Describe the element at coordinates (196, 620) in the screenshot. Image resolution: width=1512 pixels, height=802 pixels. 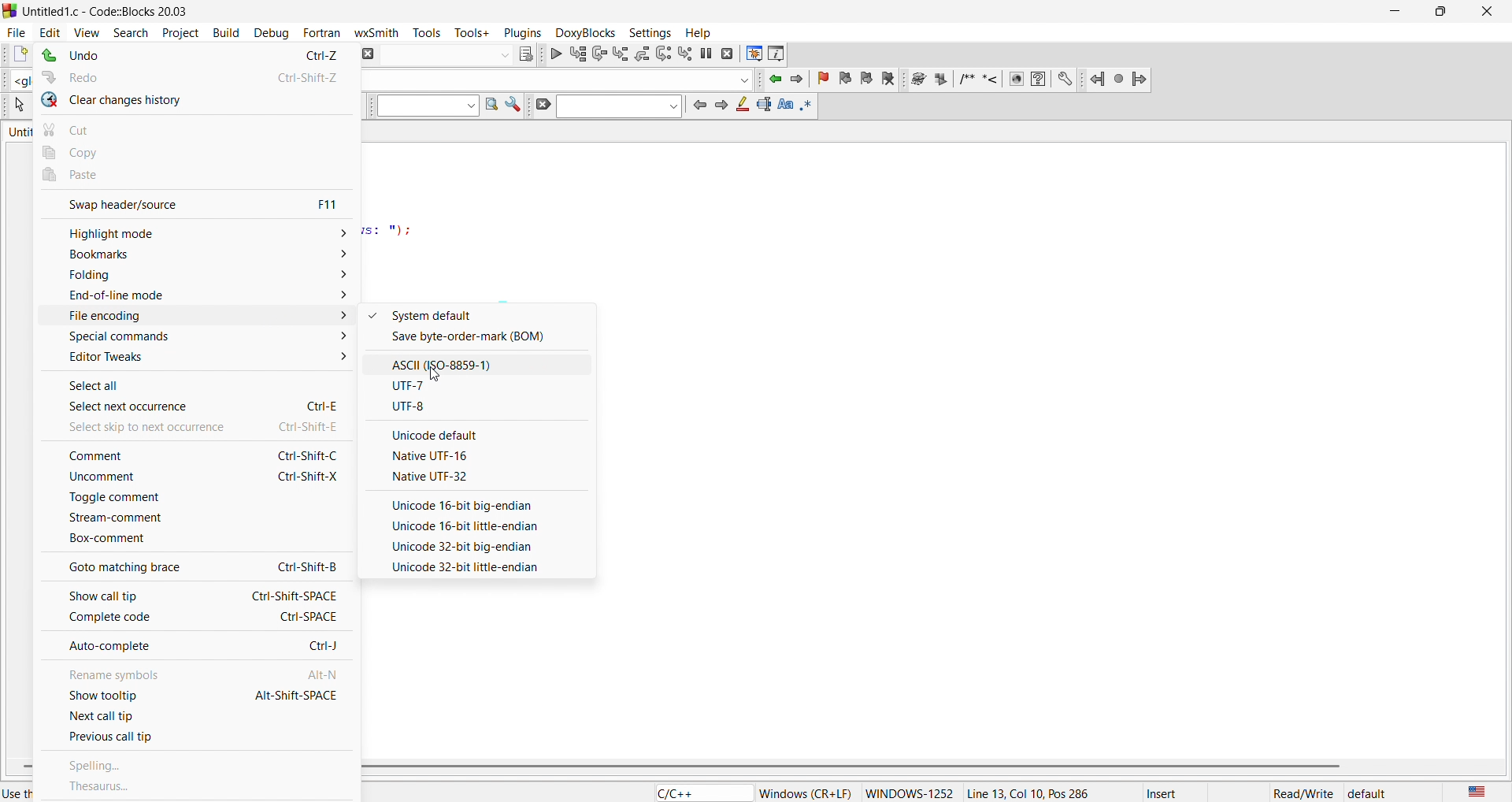
I see `complete code` at that location.